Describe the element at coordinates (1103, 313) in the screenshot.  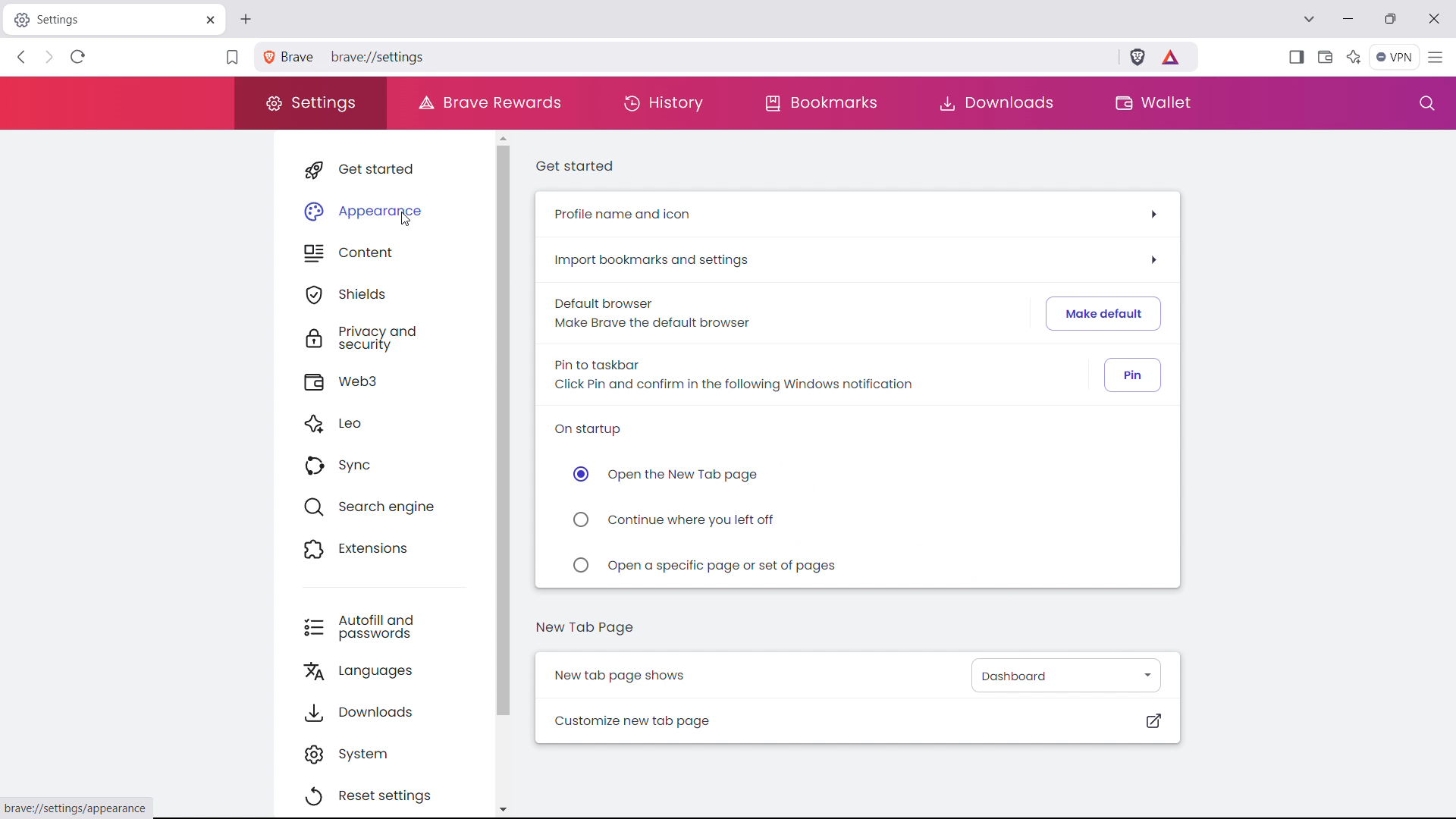
I see `make default` at that location.